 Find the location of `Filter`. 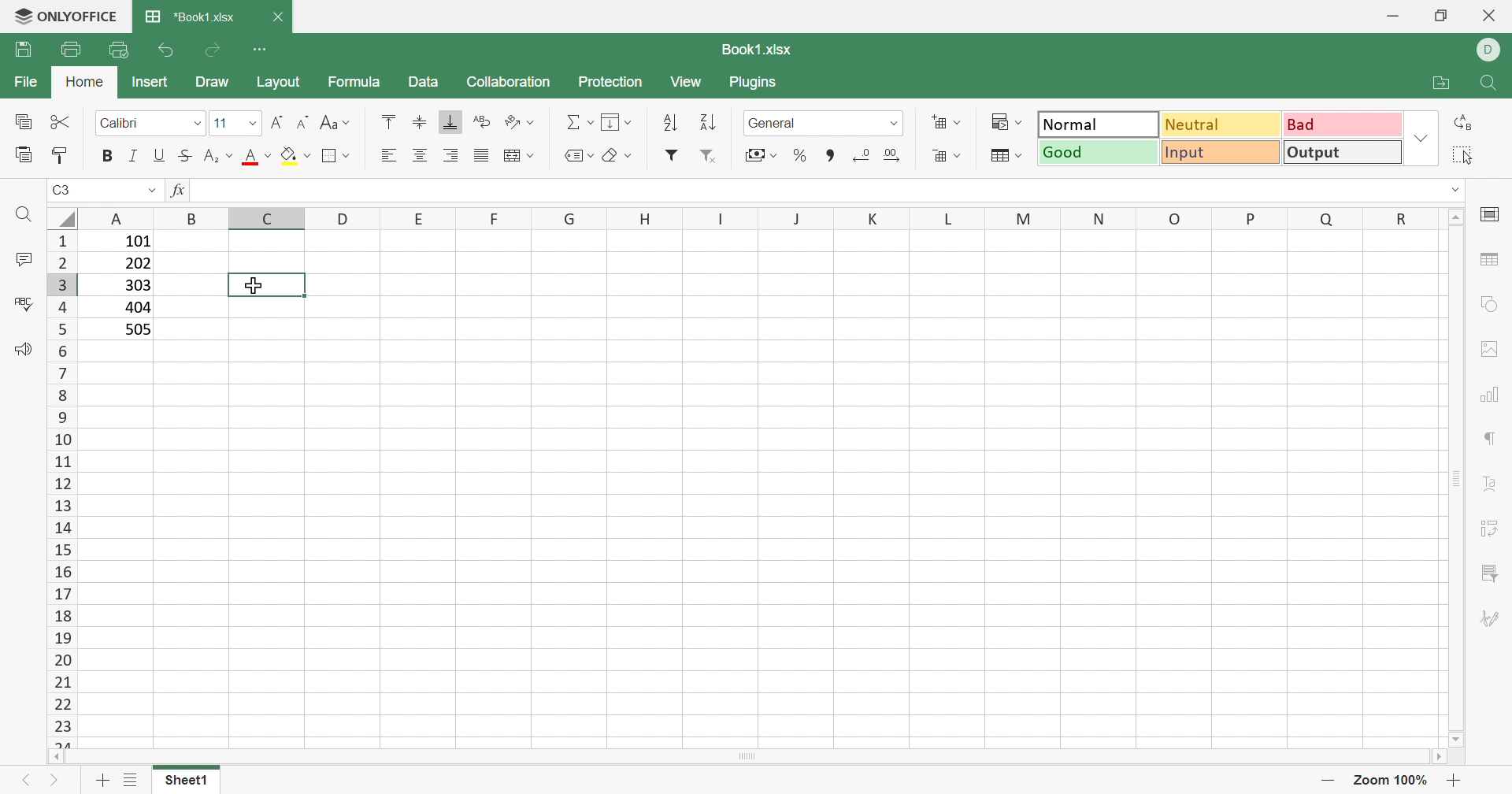

Filter is located at coordinates (673, 158).